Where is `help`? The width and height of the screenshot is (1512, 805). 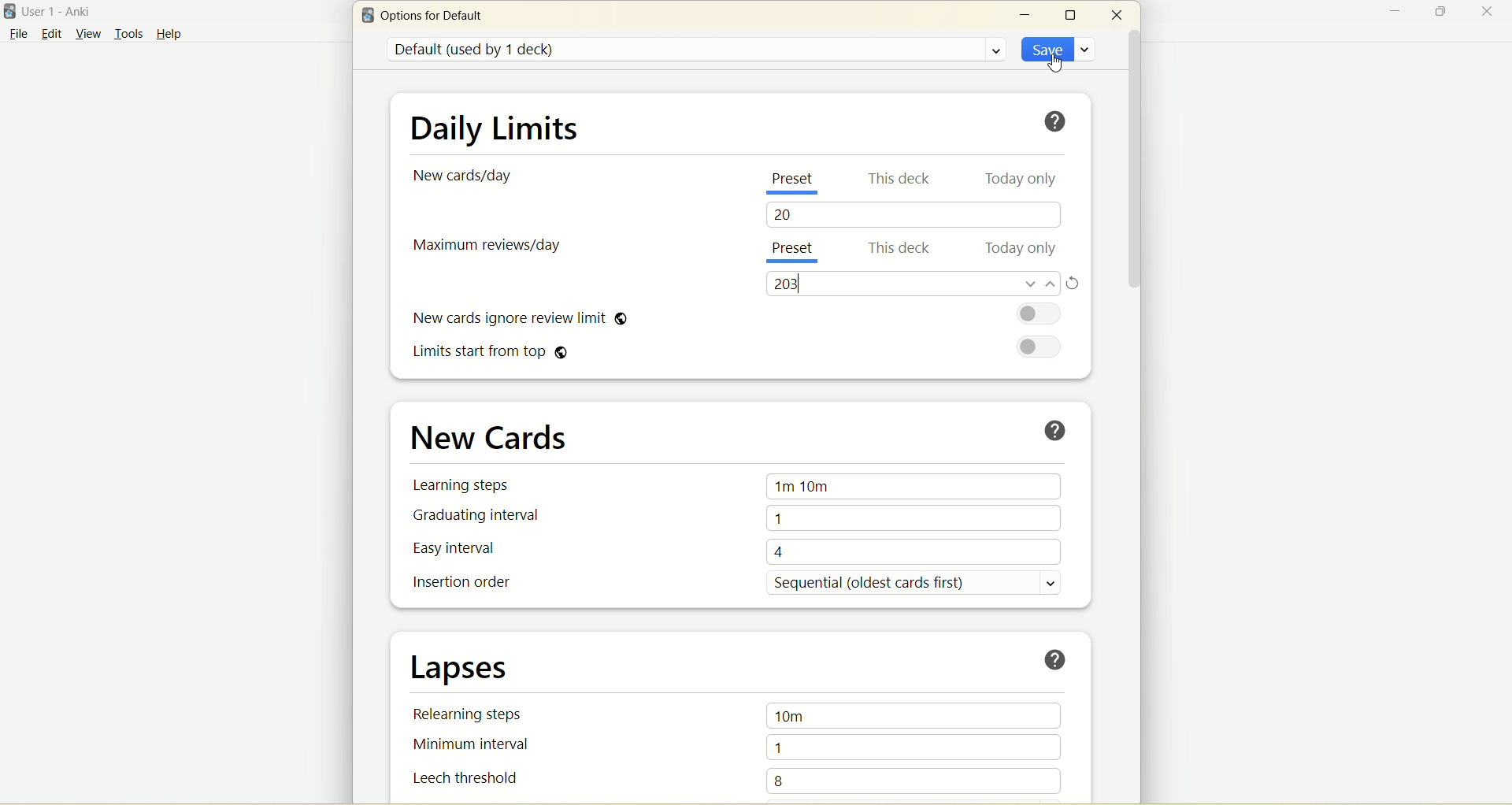 help is located at coordinates (1057, 658).